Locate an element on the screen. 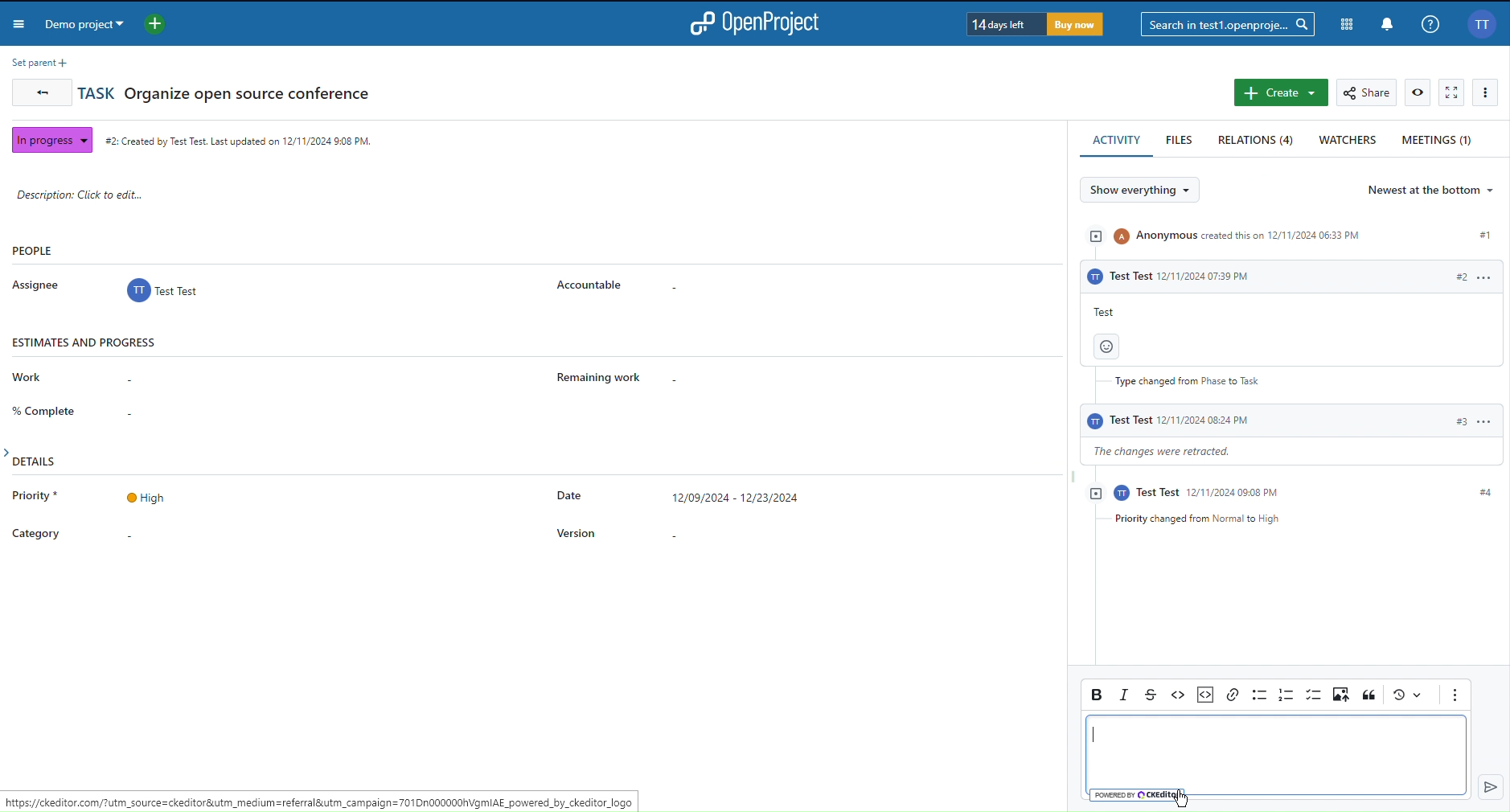  Notifications is located at coordinates (1385, 23).